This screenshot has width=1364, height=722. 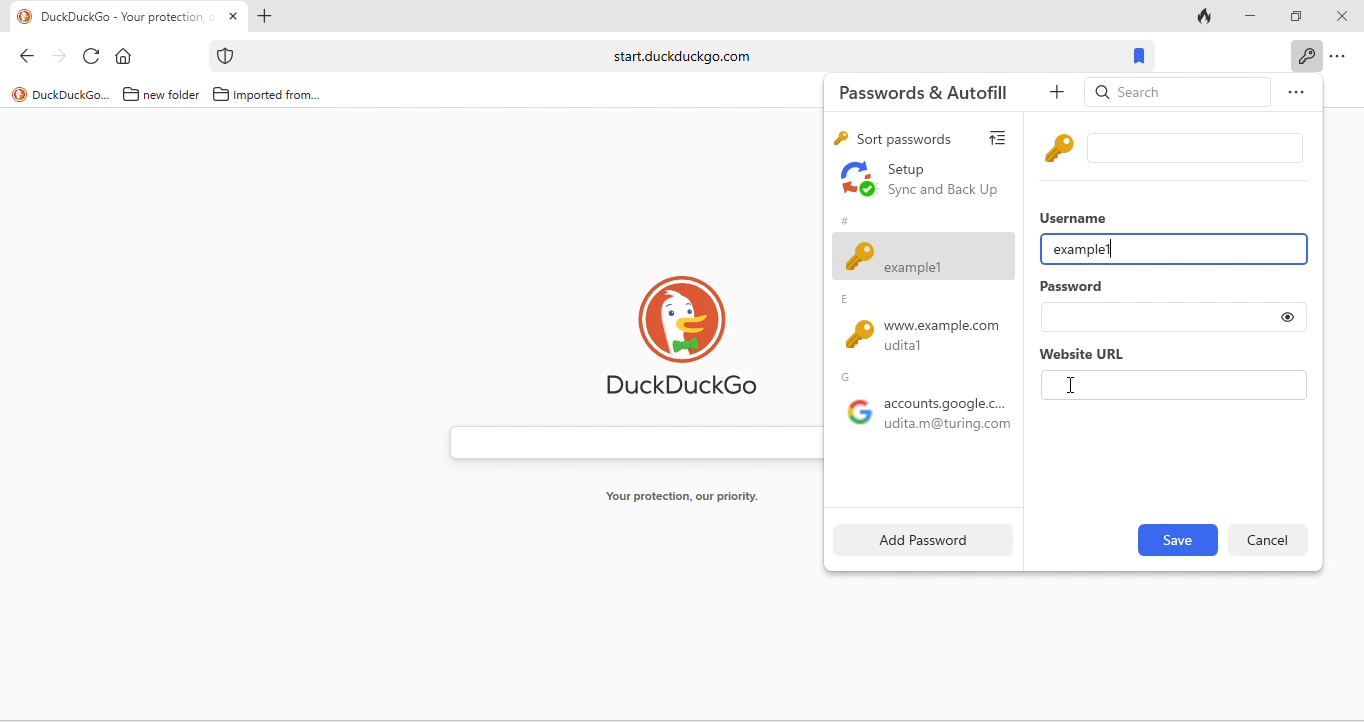 I want to click on duckduckgo..., so click(x=72, y=96).